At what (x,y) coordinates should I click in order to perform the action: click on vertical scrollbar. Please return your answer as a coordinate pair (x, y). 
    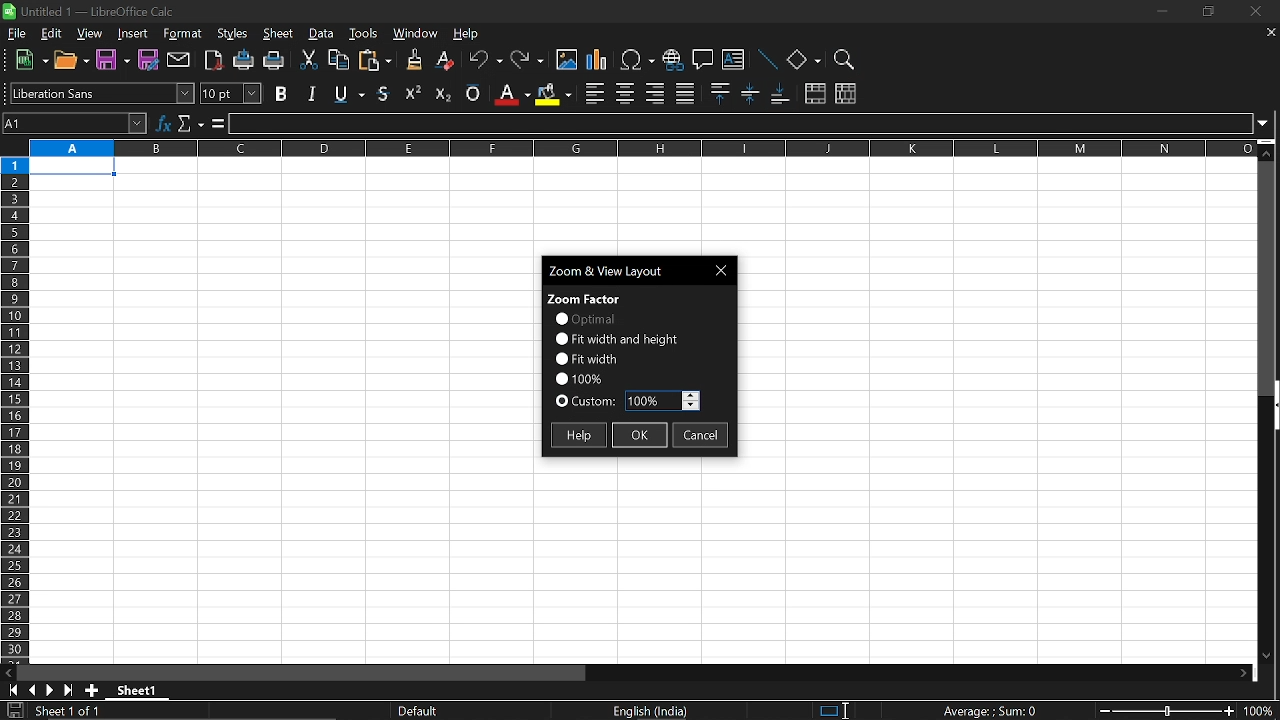
    Looking at the image, I should click on (1272, 407).